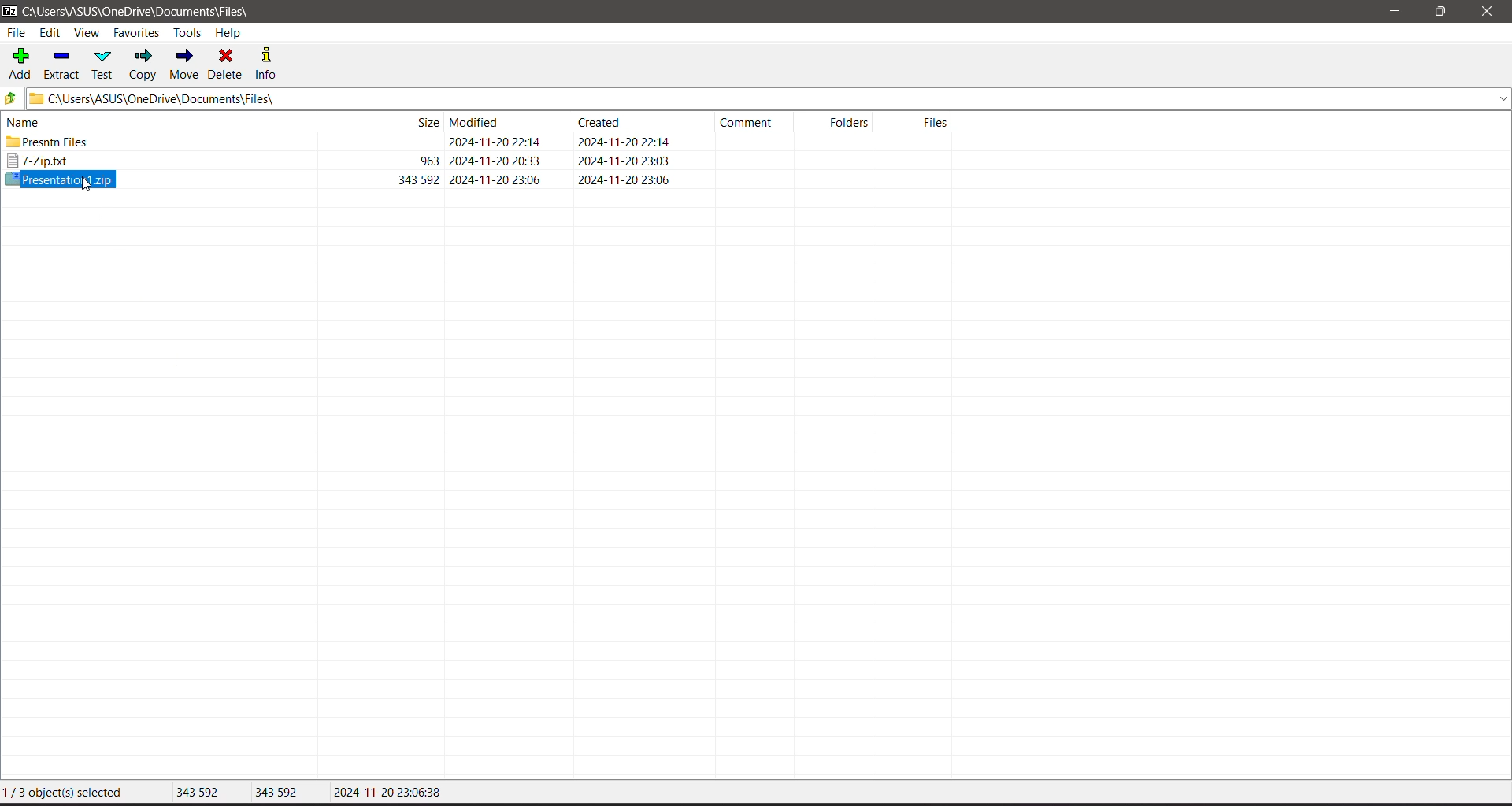 The height and width of the screenshot is (806, 1512). I want to click on Copy, so click(144, 65).